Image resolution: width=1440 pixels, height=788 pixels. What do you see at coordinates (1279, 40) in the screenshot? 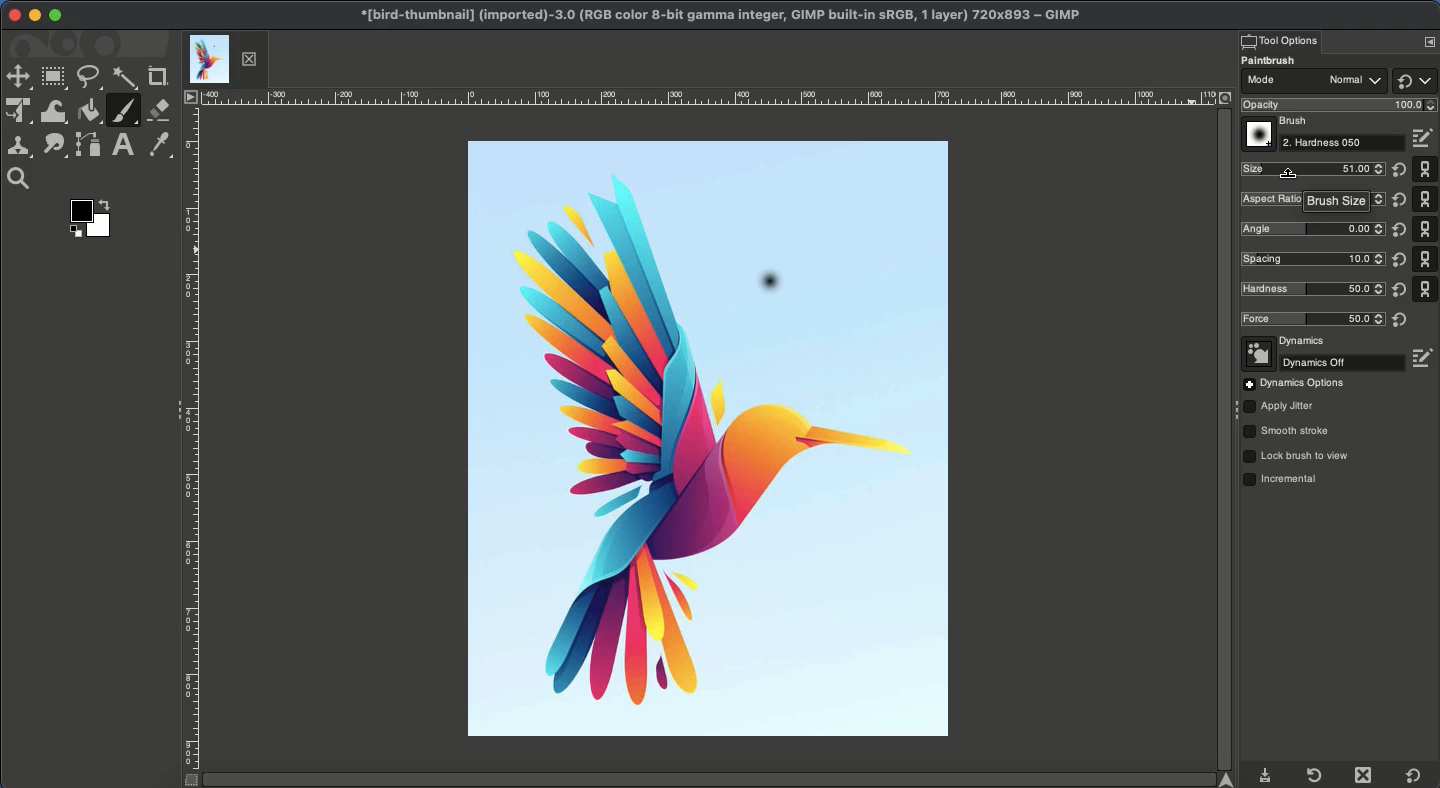
I see `Tool options` at bounding box center [1279, 40].